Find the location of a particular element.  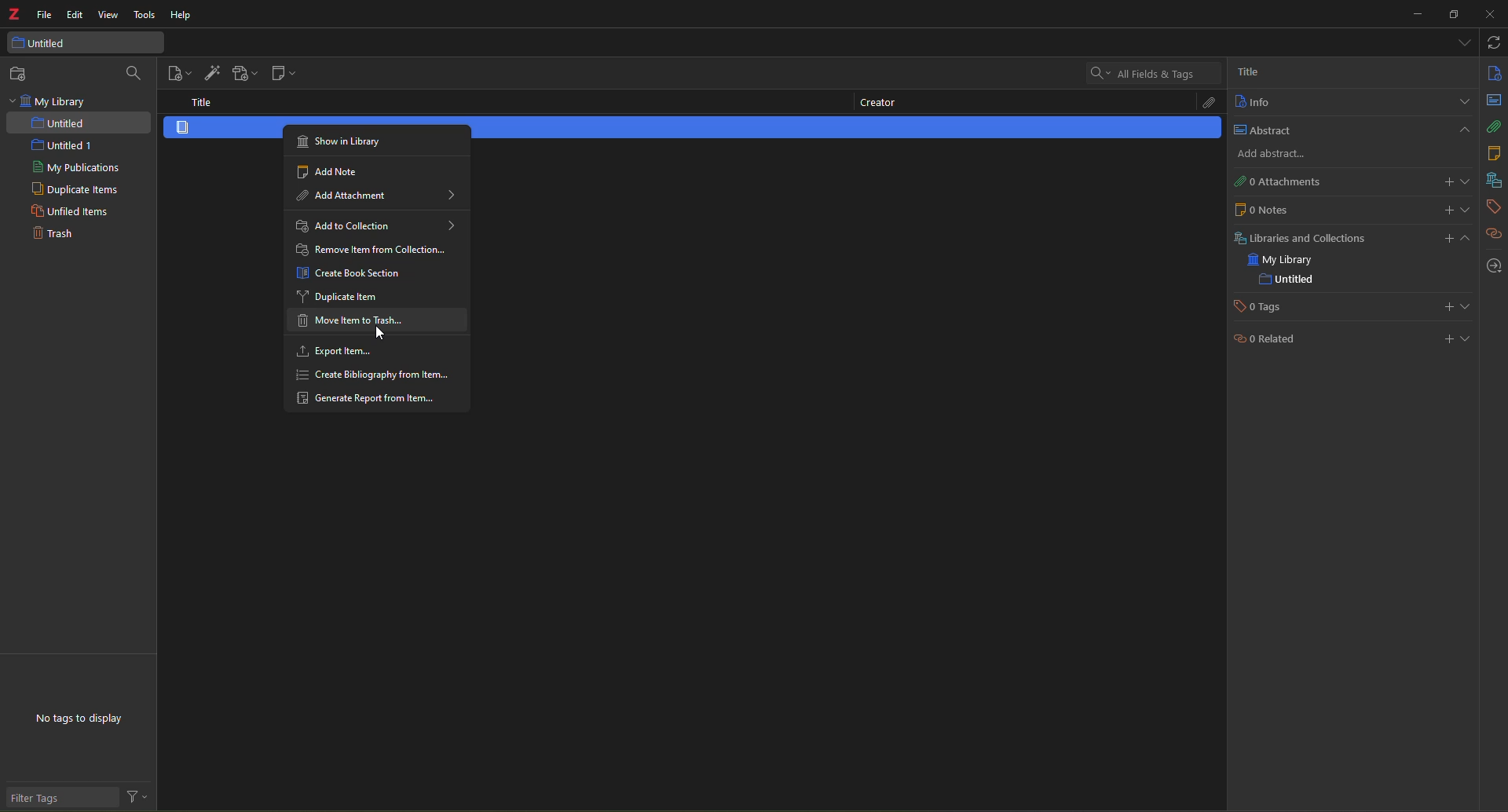

library is located at coordinates (1492, 181).